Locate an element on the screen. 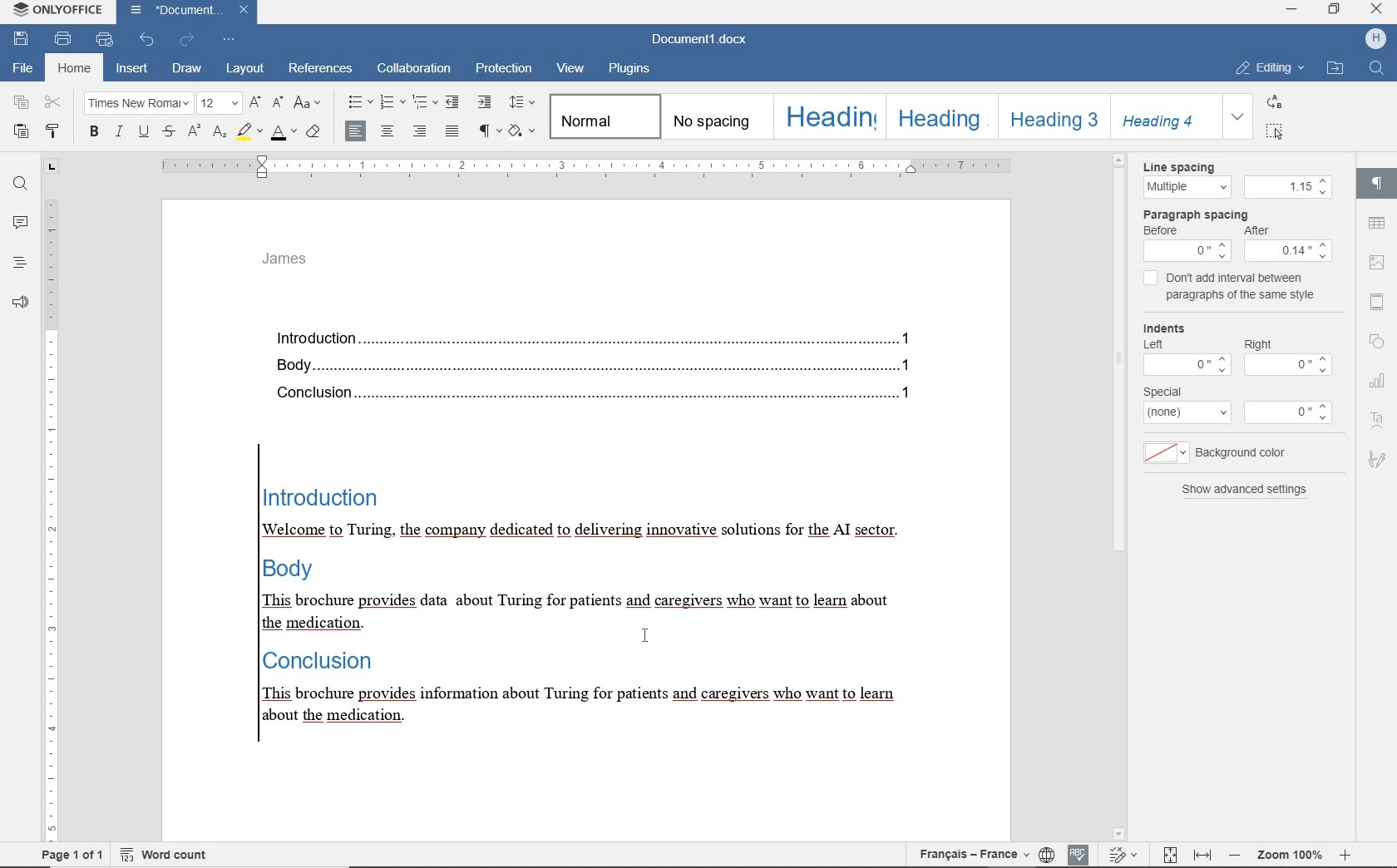  plugins is located at coordinates (630, 70).